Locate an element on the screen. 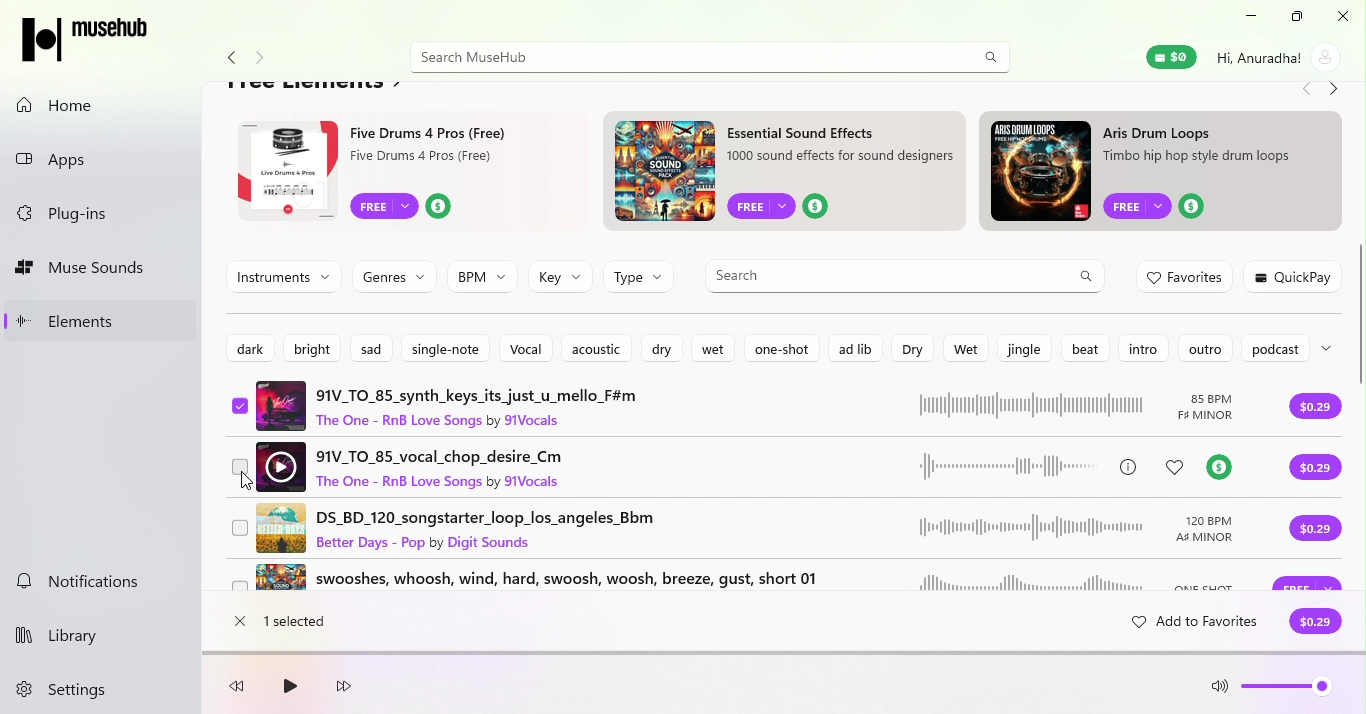 This screenshot has height=714, width=1366. Beat is located at coordinates (1088, 349).